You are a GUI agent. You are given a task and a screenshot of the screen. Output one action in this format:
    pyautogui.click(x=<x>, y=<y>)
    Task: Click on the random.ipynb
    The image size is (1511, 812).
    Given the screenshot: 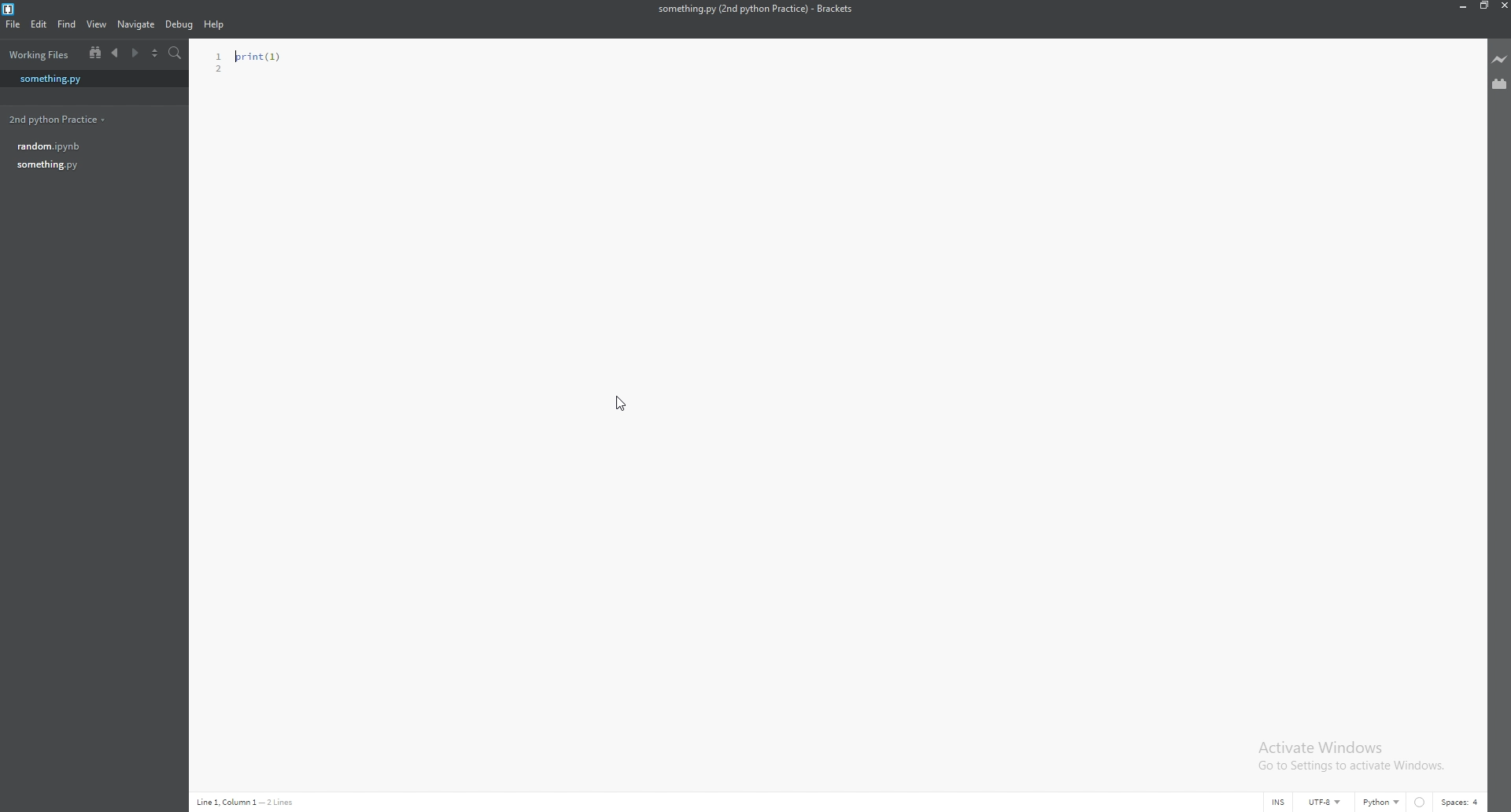 What is the action you would take?
    pyautogui.click(x=84, y=146)
    